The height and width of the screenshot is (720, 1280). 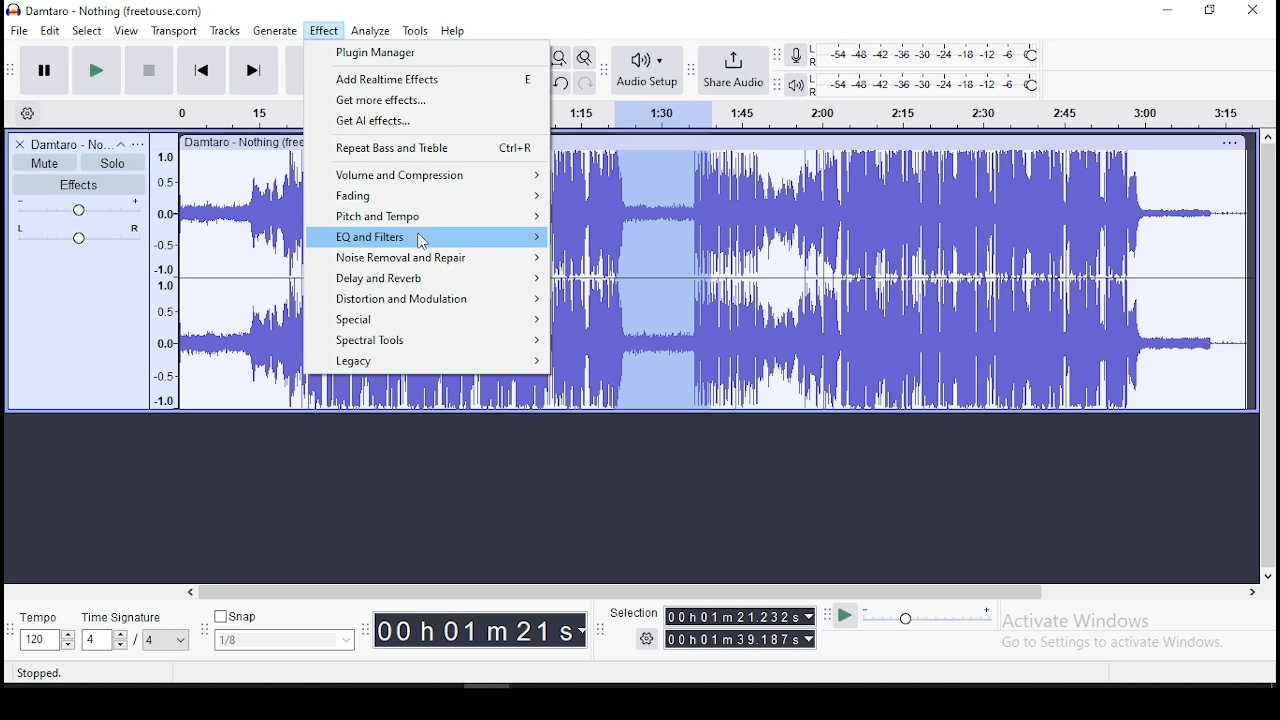 I want to click on skip to start, so click(x=202, y=69).